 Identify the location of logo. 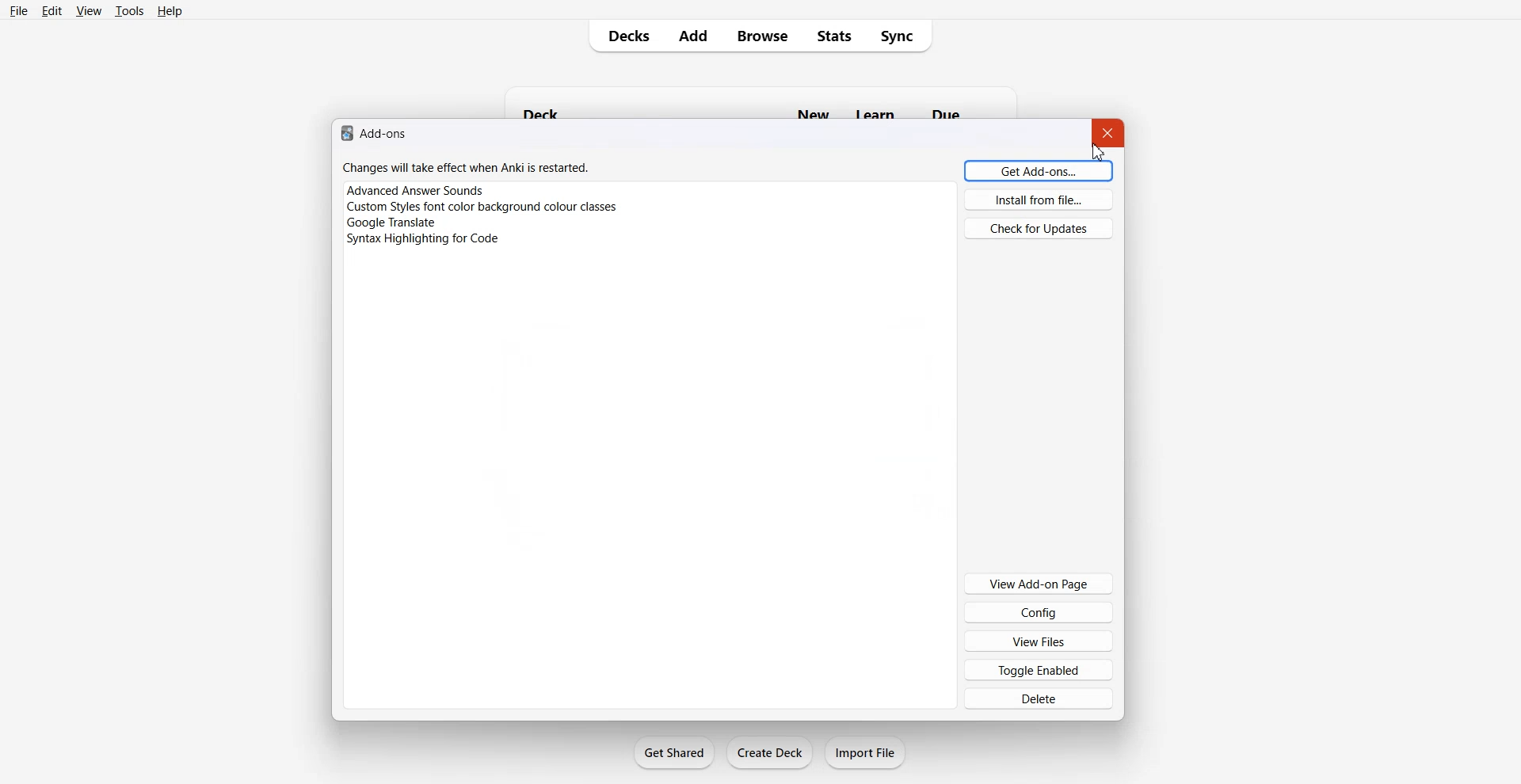
(345, 134).